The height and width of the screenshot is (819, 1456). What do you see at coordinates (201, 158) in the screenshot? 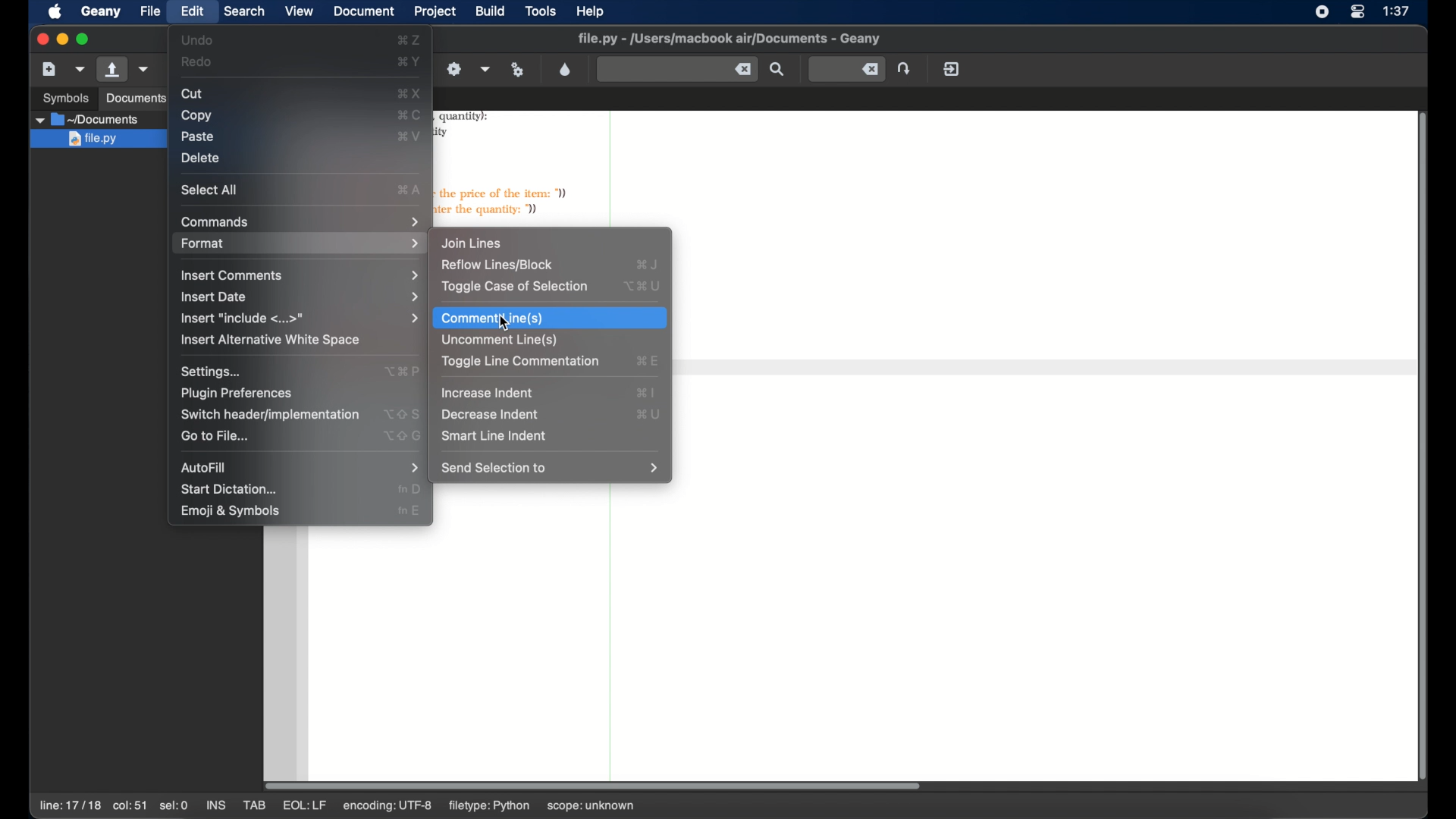
I see `delete` at bounding box center [201, 158].